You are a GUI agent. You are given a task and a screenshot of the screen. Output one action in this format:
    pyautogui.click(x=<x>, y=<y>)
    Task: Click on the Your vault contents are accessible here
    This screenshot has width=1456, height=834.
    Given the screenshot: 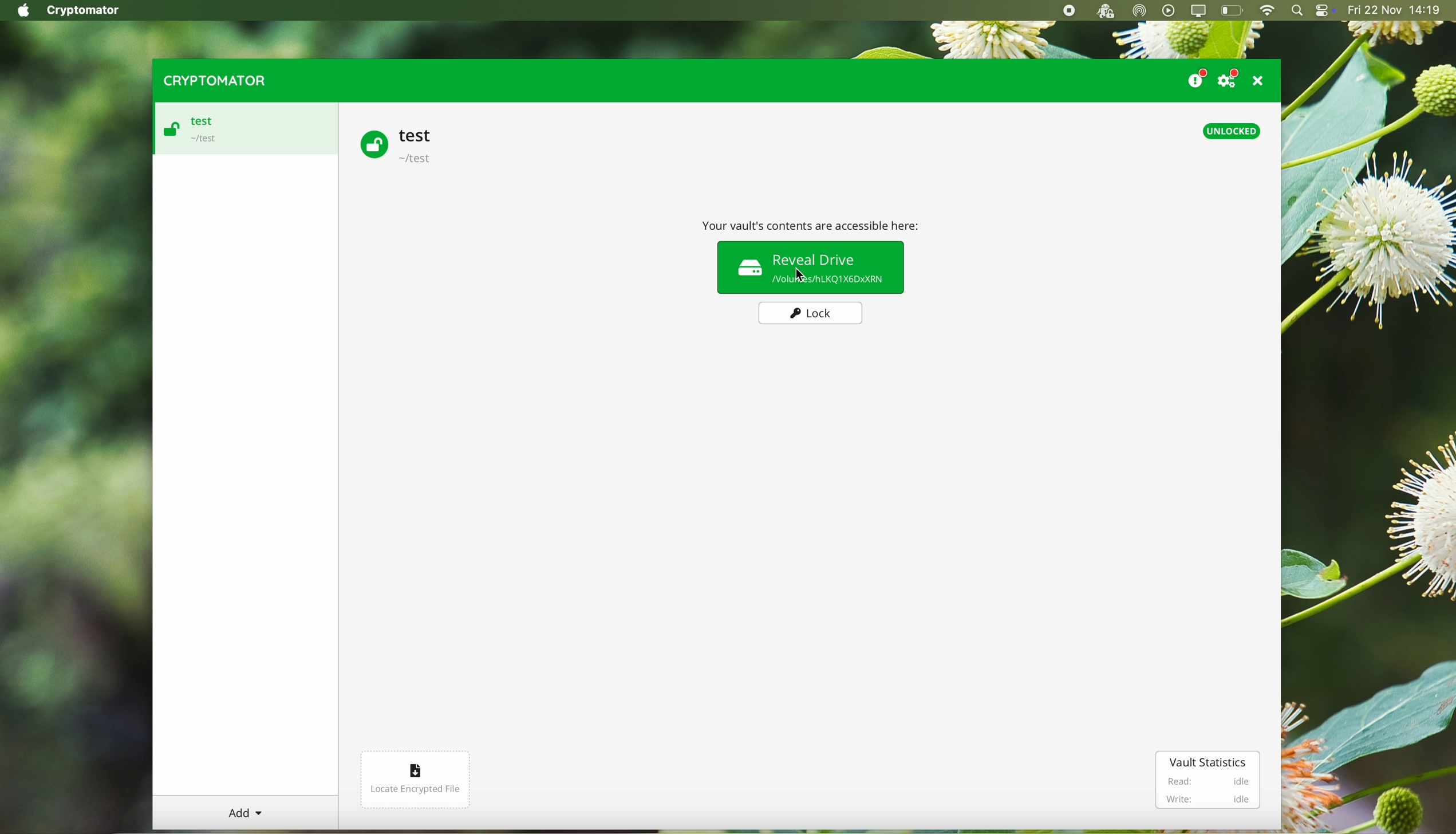 What is the action you would take?
    pyautogui.click(x=812, y=222)
    